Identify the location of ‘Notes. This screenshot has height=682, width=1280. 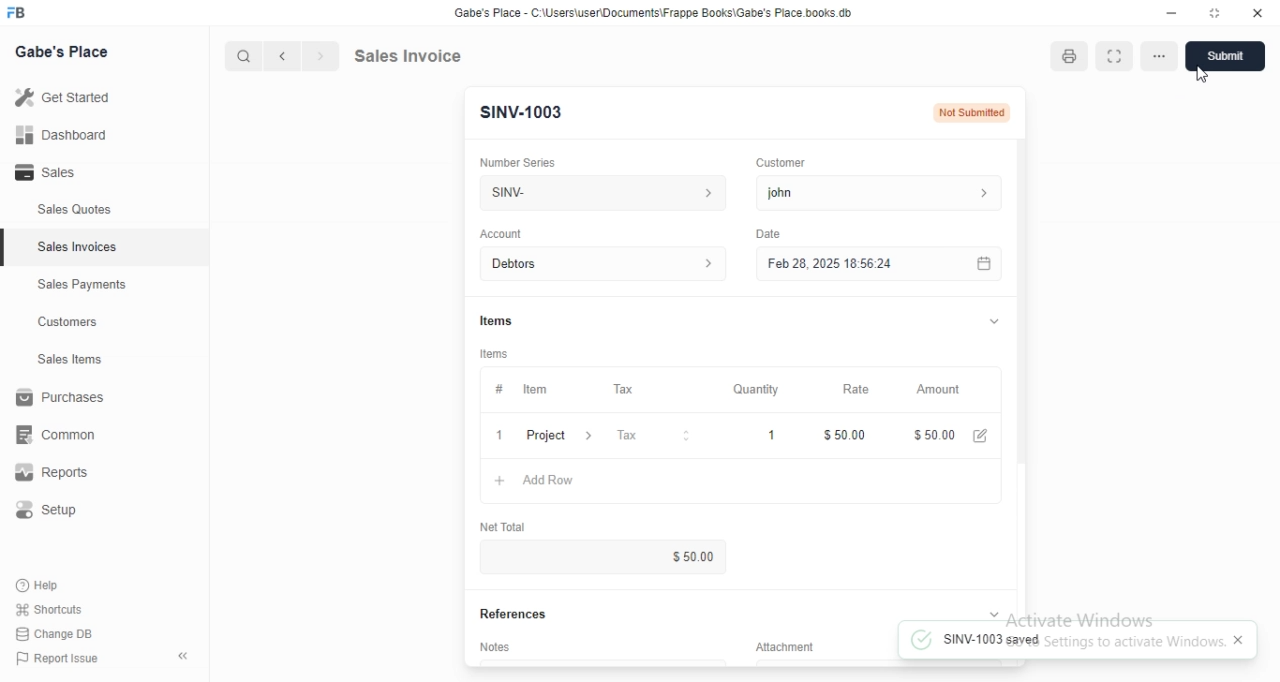
(499, 650).